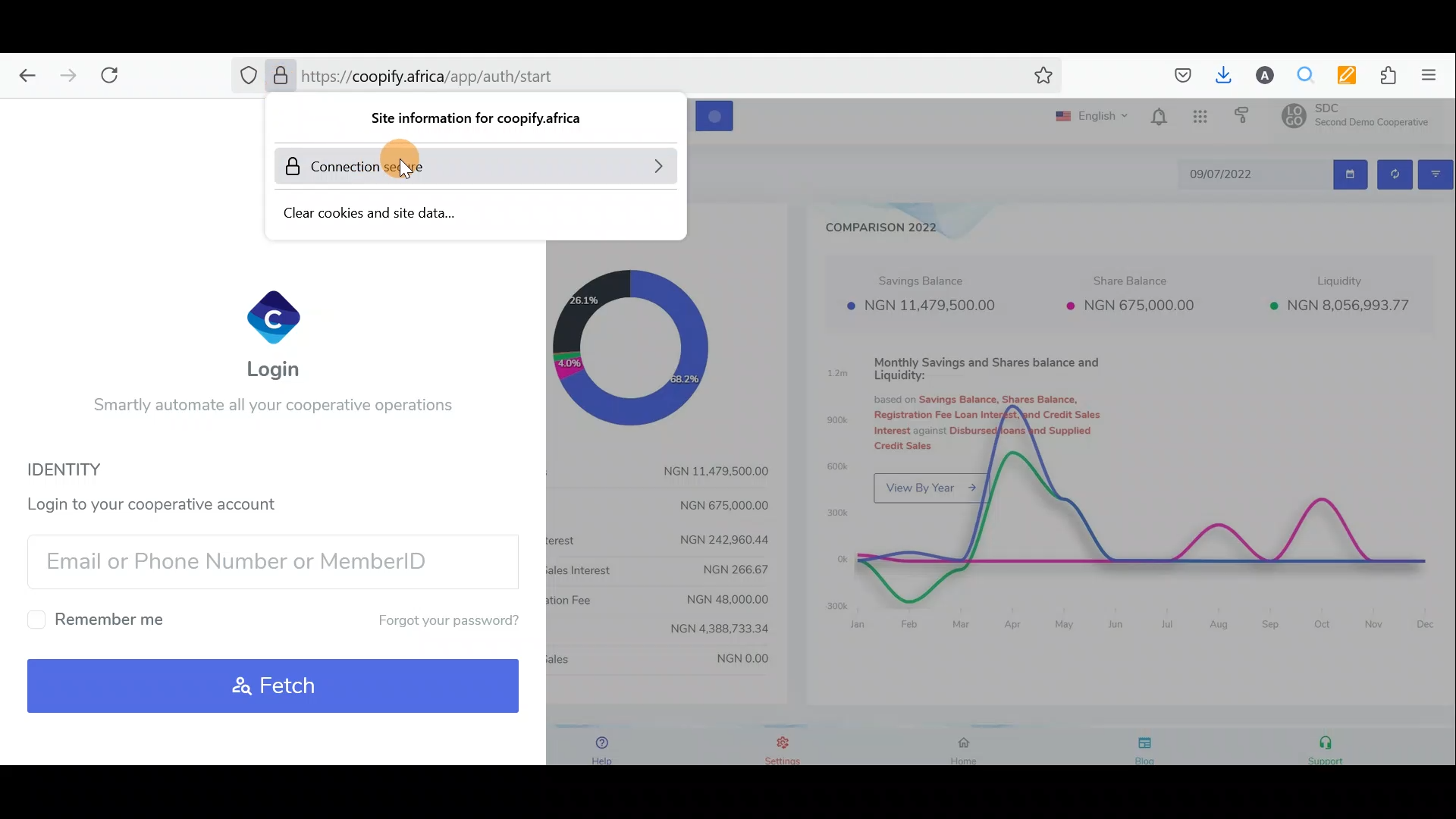 This screenshot has width=1456, height=819. What do you see at coordinates (86, 469) in the screenshot?
I see `Identity` at bounding box center [86, 469].